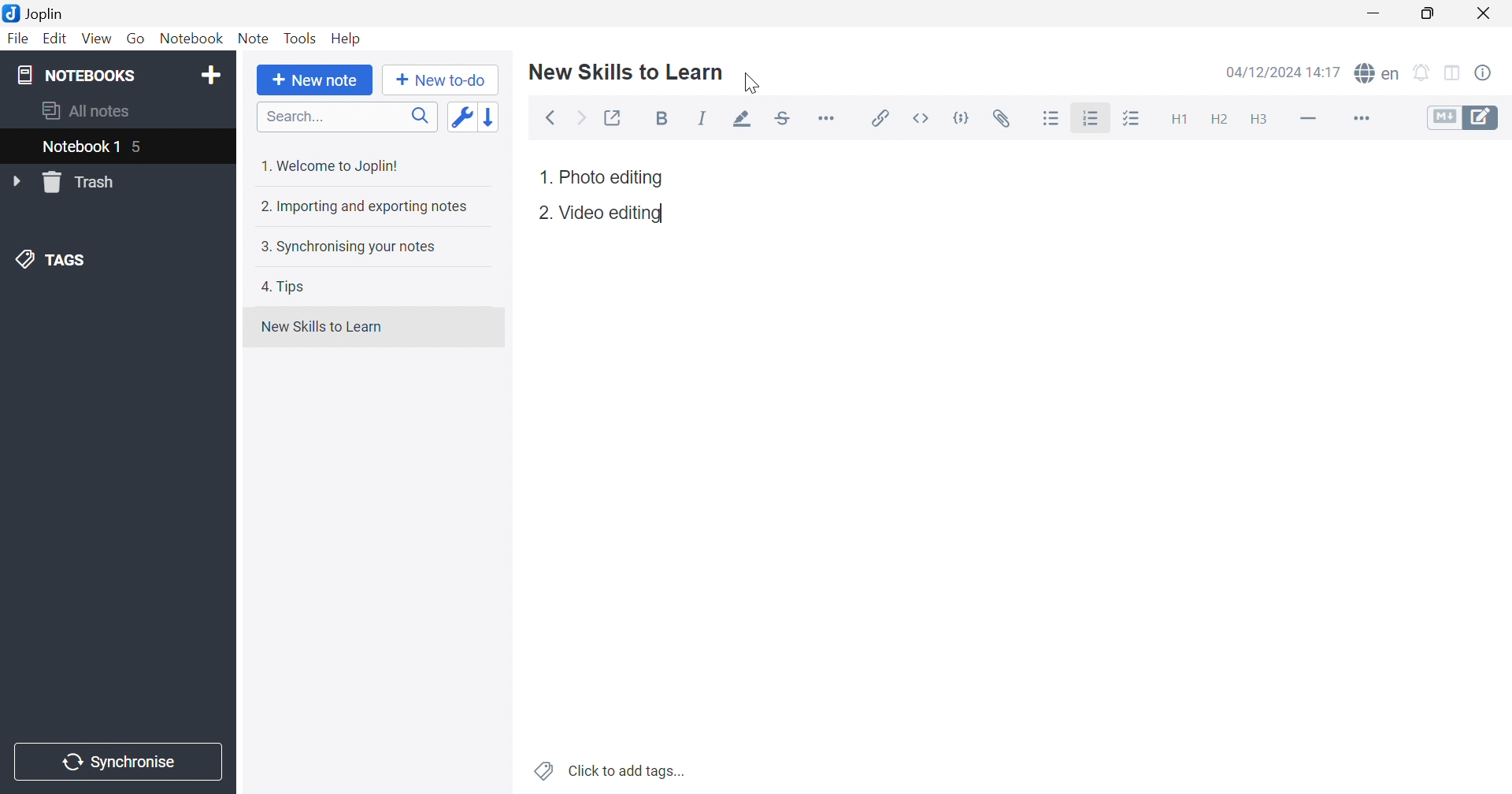 This screenshot has width=1512, height=794. Describe the element at coordinates (627, 71) in the screenshot. I see `New Skills to Learn` at that location.